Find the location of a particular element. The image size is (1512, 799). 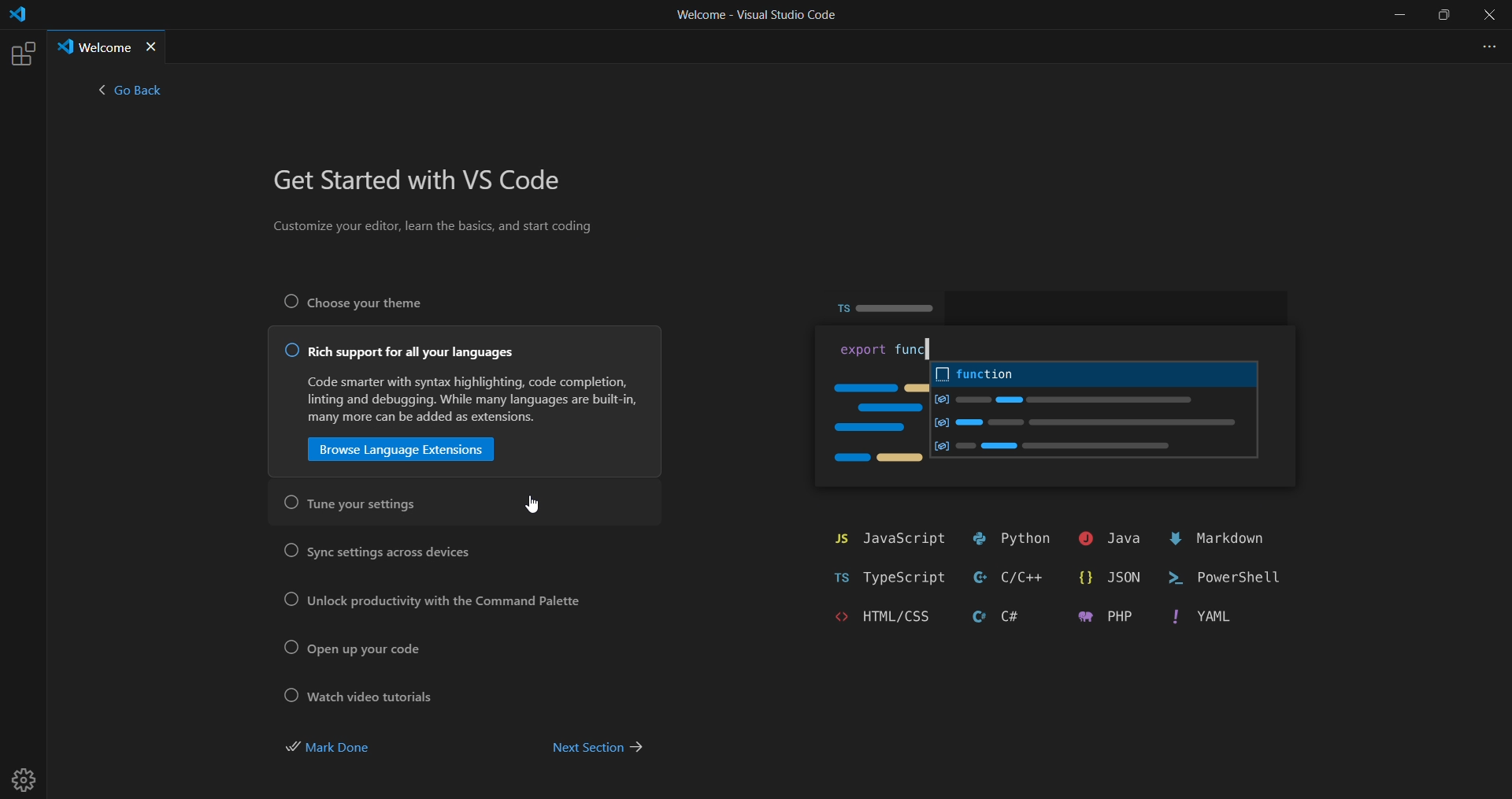

logo is located at coordinates (17, 17).